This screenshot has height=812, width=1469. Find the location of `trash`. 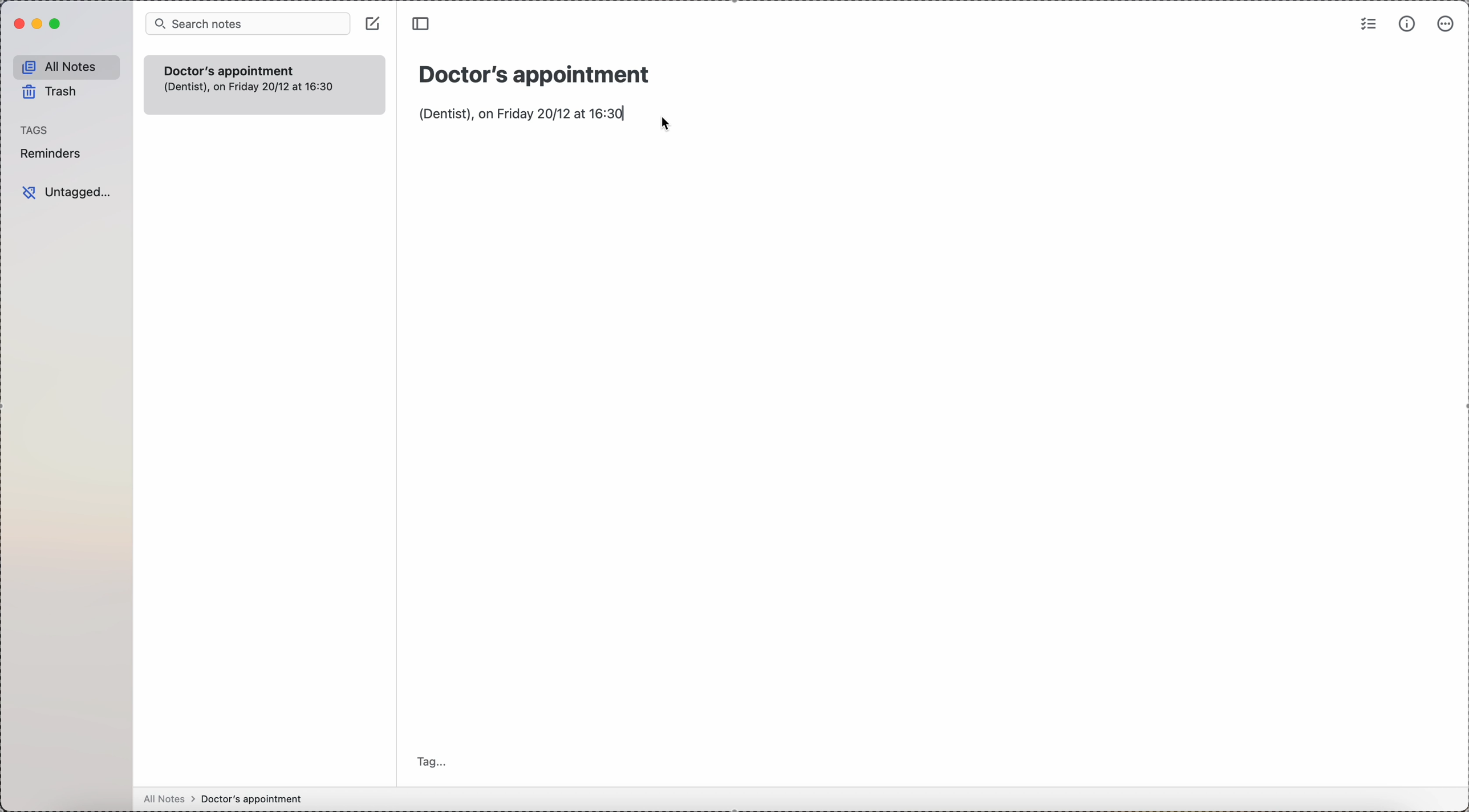

trash is located at coordinates (48, 92).